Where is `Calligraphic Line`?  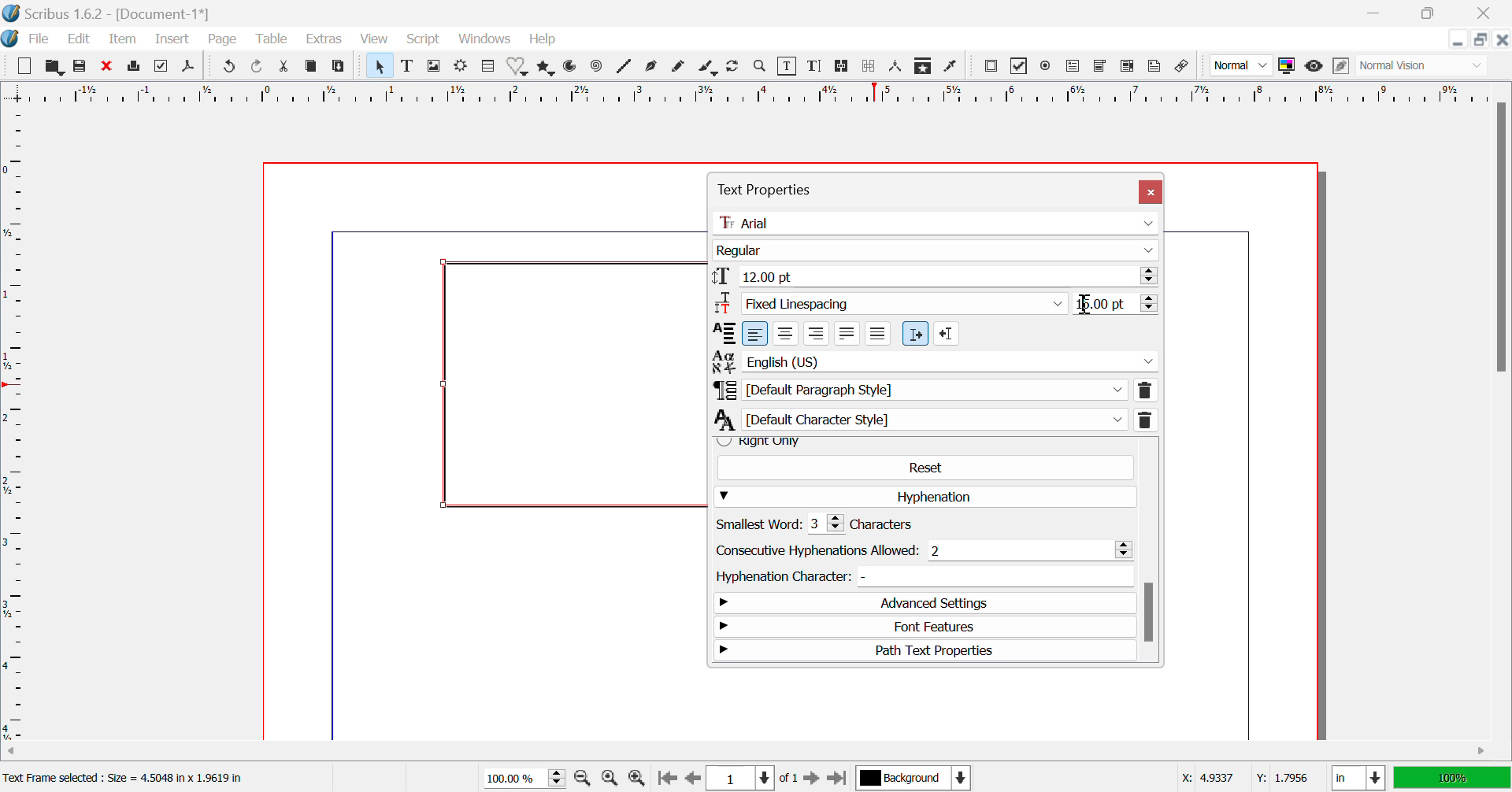
Calligraphic Line is located at coordinates (707, 68).